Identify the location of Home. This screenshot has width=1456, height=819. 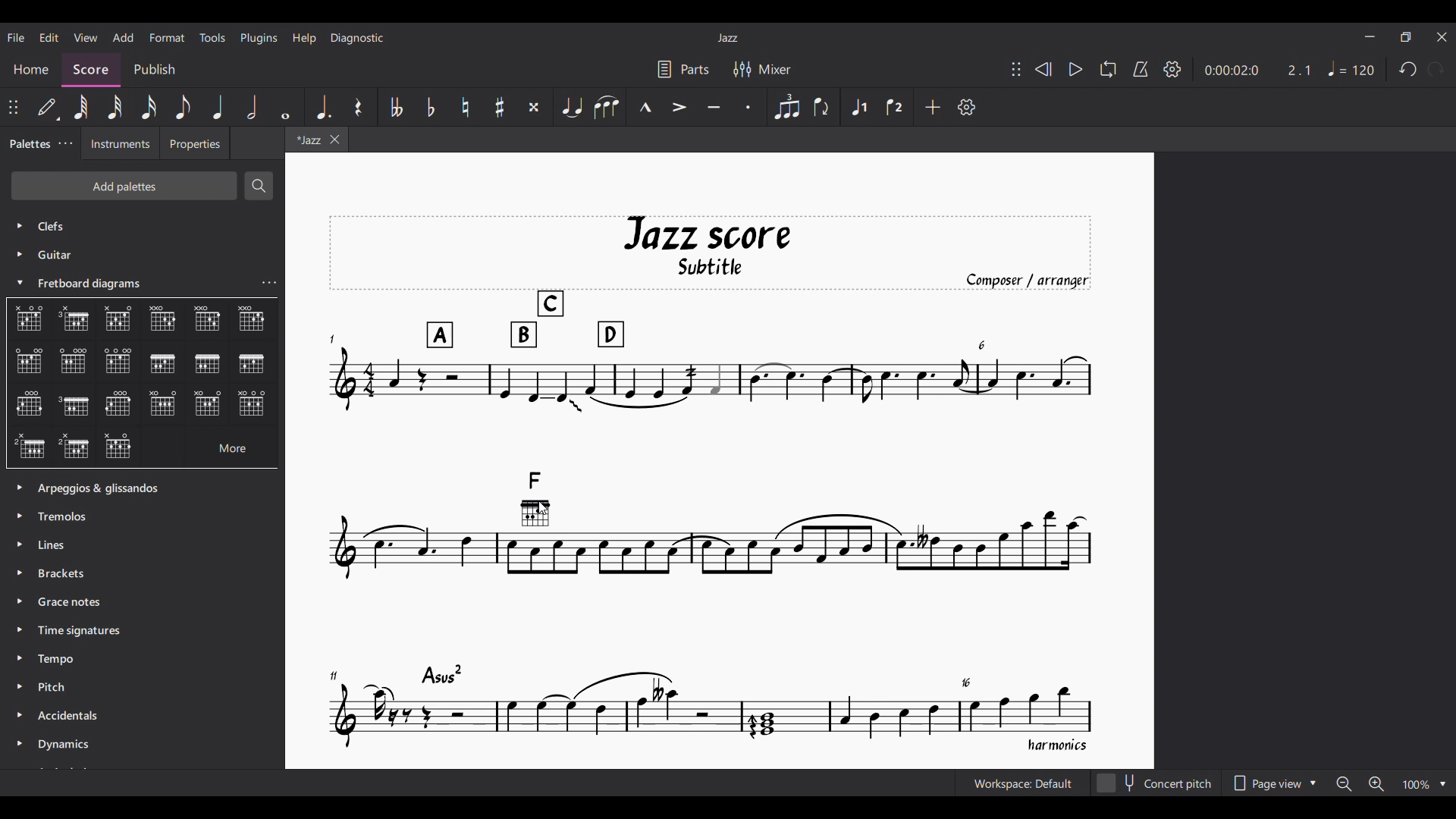
(31, 67).